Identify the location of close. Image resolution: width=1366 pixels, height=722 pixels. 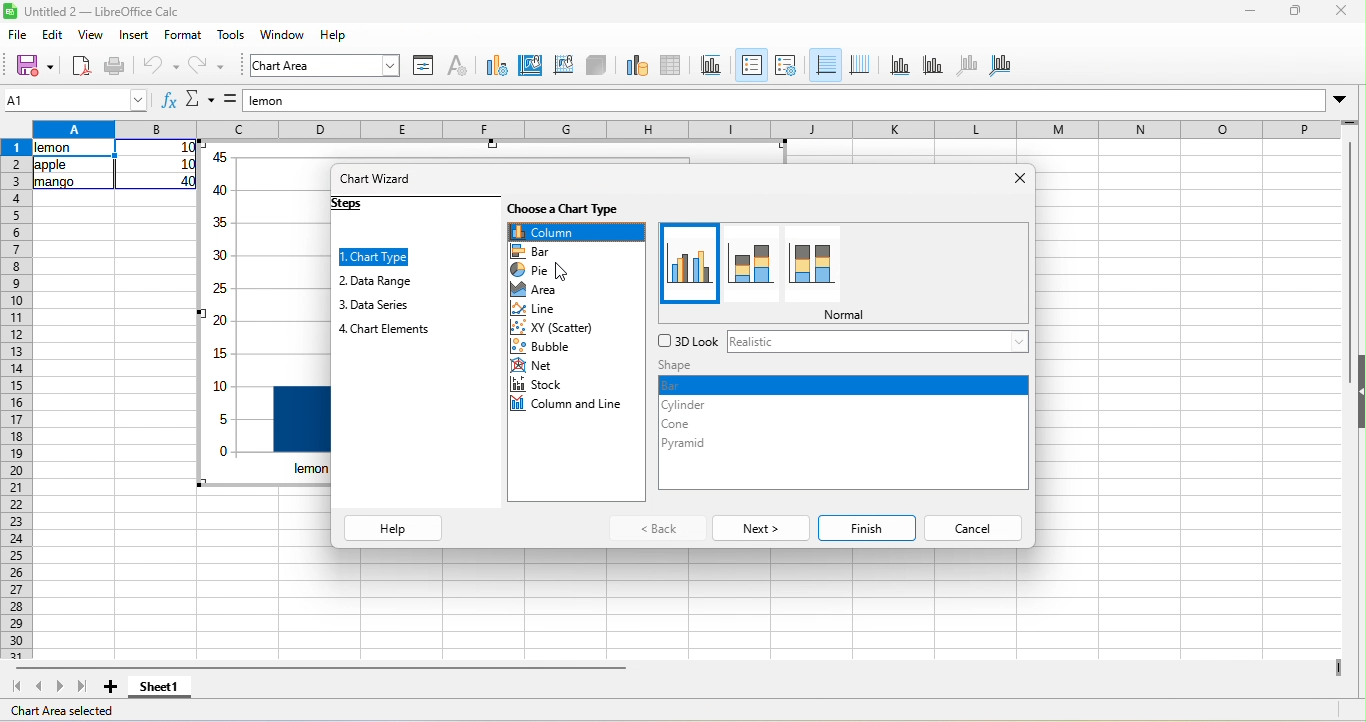
(1006, 178).